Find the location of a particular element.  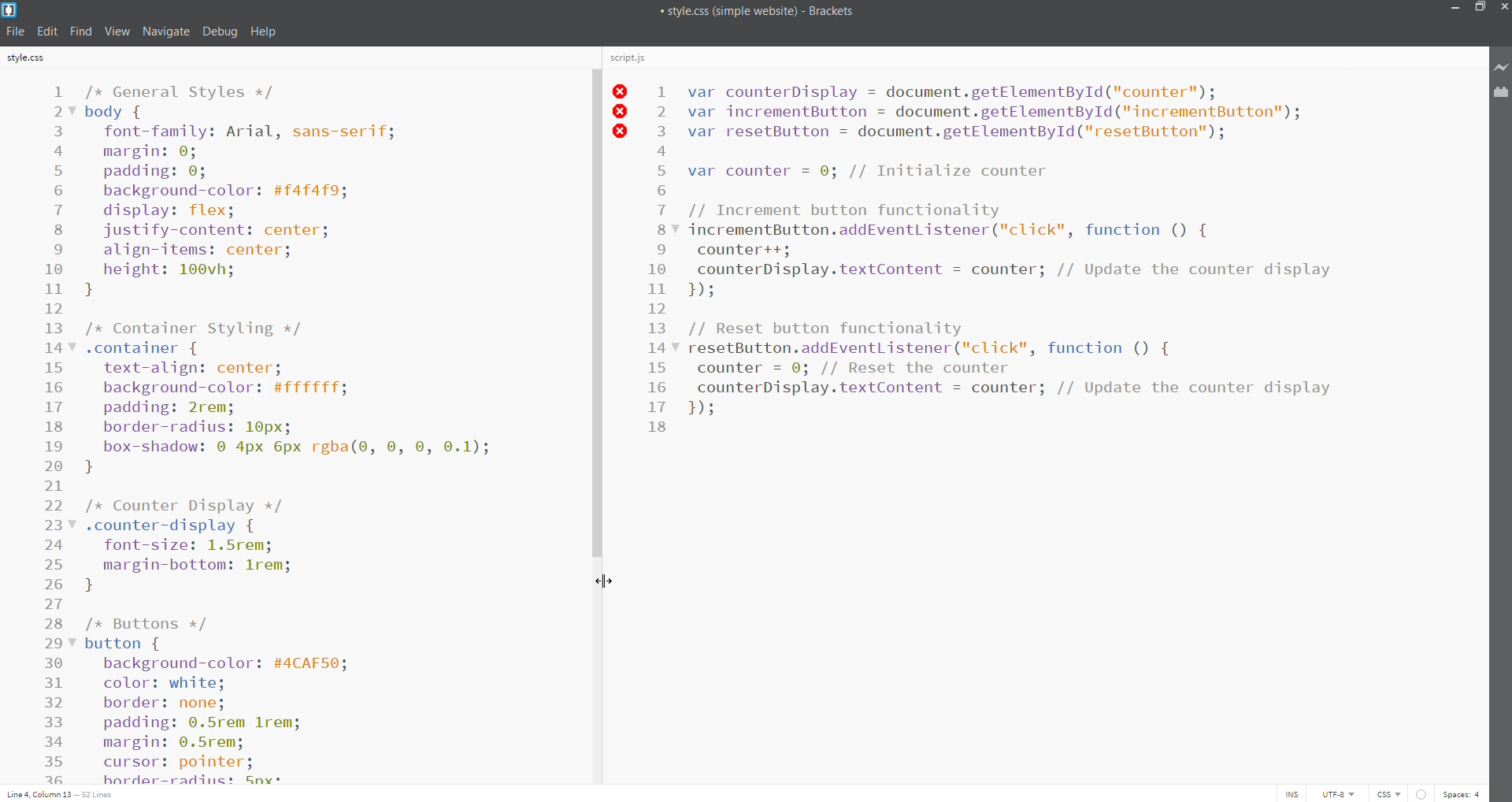

line number is located at coordinates (56, 430).